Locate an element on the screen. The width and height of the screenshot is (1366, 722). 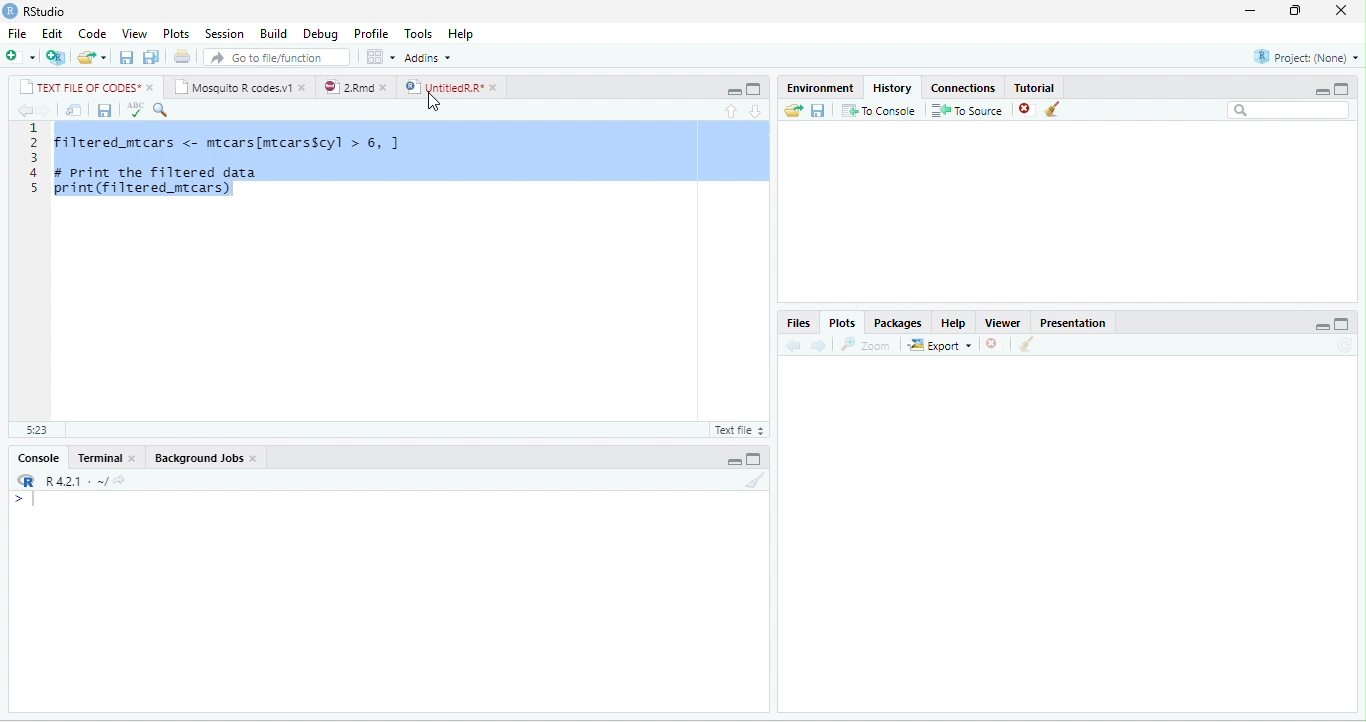
Environment is located at coordinates (820, 88).